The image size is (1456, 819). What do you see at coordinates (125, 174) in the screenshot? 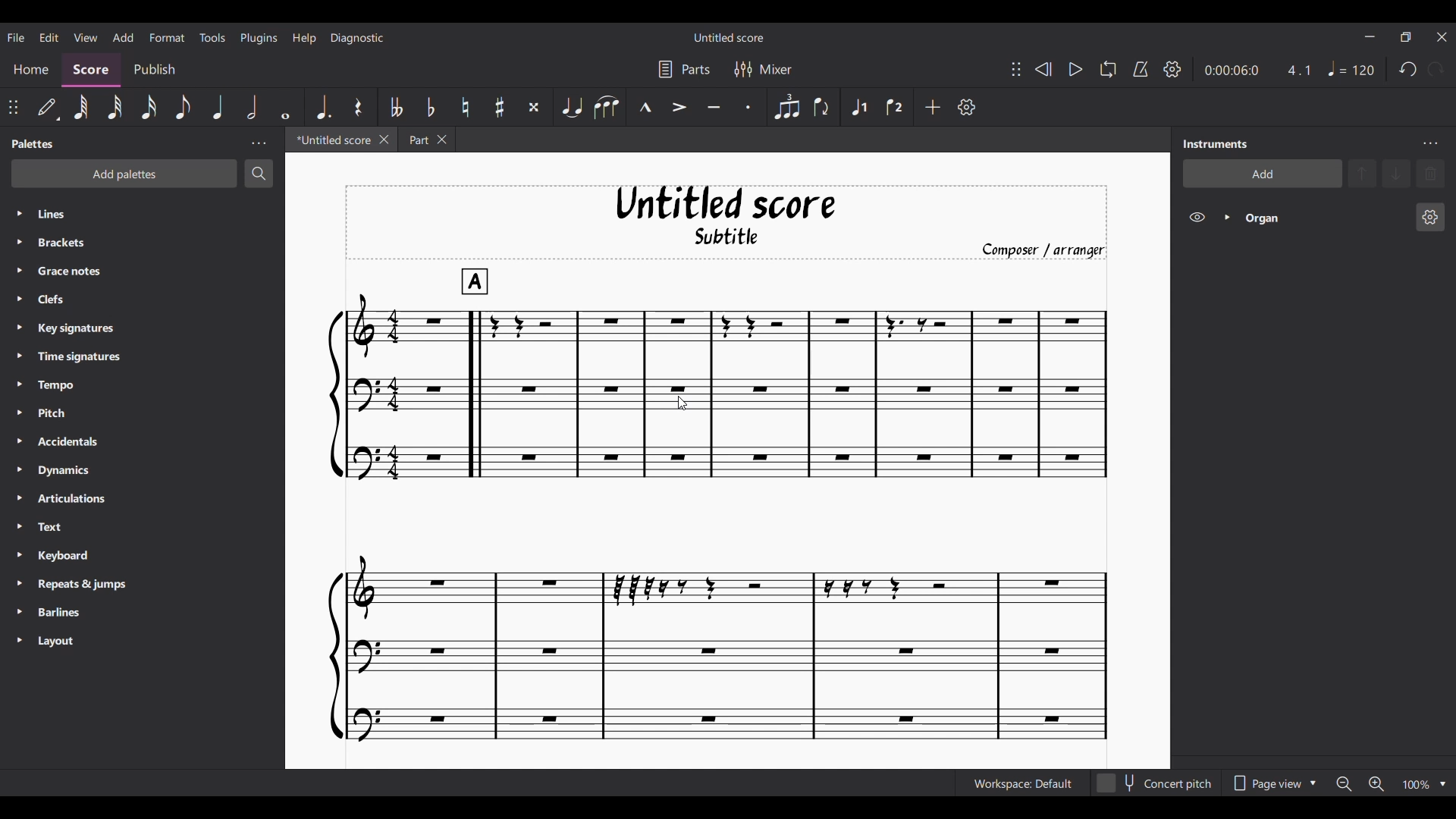
I see `Add palette` at bounding box center [125, 174].